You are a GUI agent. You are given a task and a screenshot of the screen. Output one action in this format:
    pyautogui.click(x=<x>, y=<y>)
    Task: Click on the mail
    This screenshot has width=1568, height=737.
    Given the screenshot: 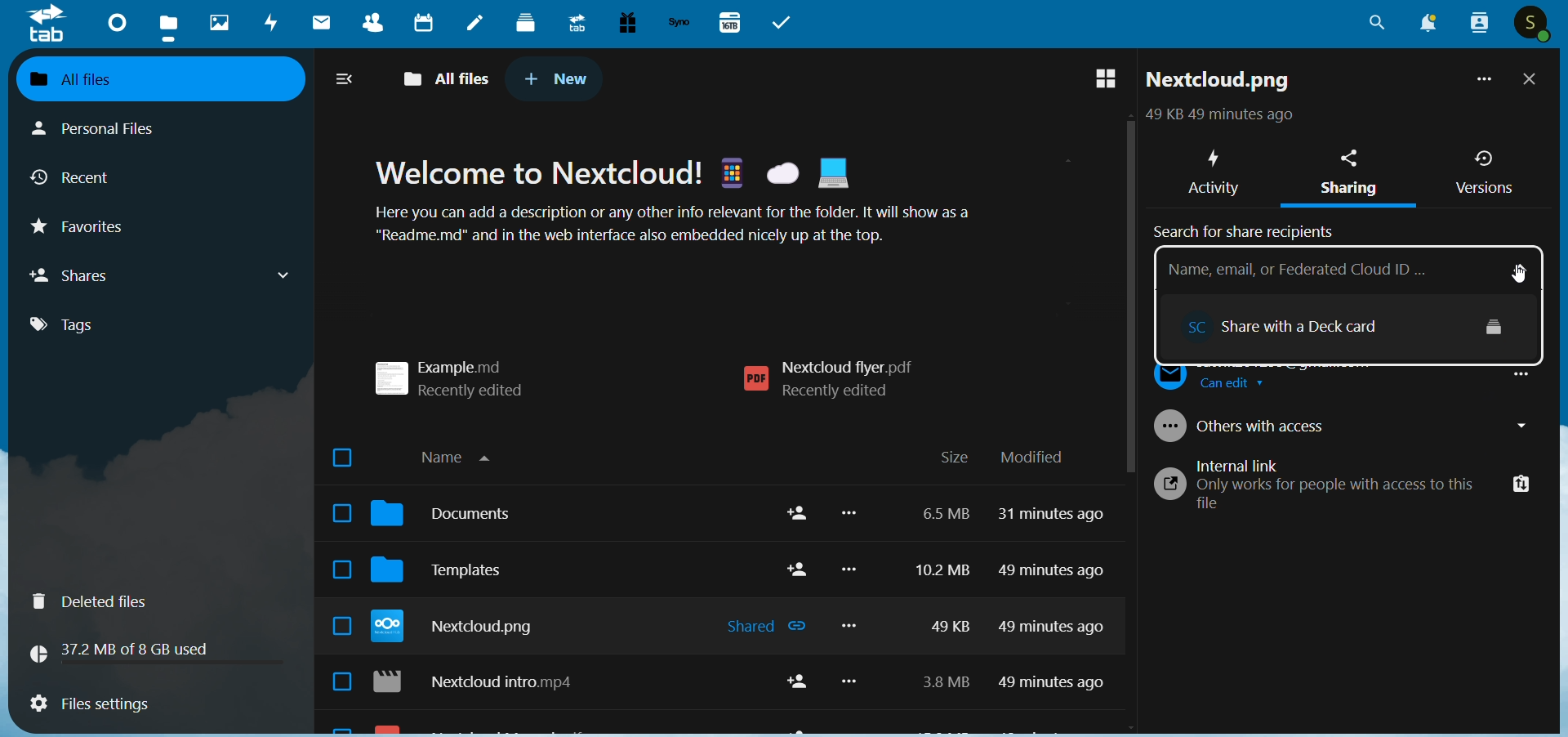 What is the action you would take?
    pyautogui.click(x=318, y=25)
    